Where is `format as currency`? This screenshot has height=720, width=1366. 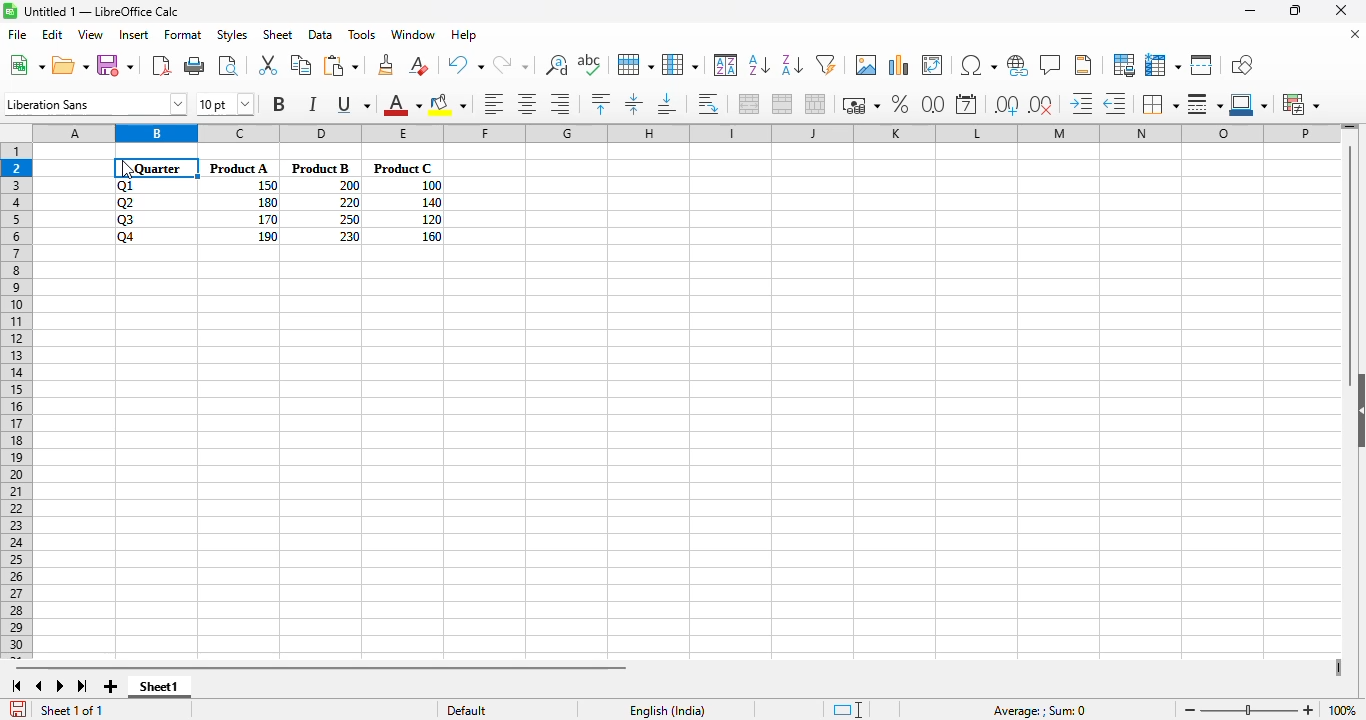
format as currency is located at coordinates (860, 105).